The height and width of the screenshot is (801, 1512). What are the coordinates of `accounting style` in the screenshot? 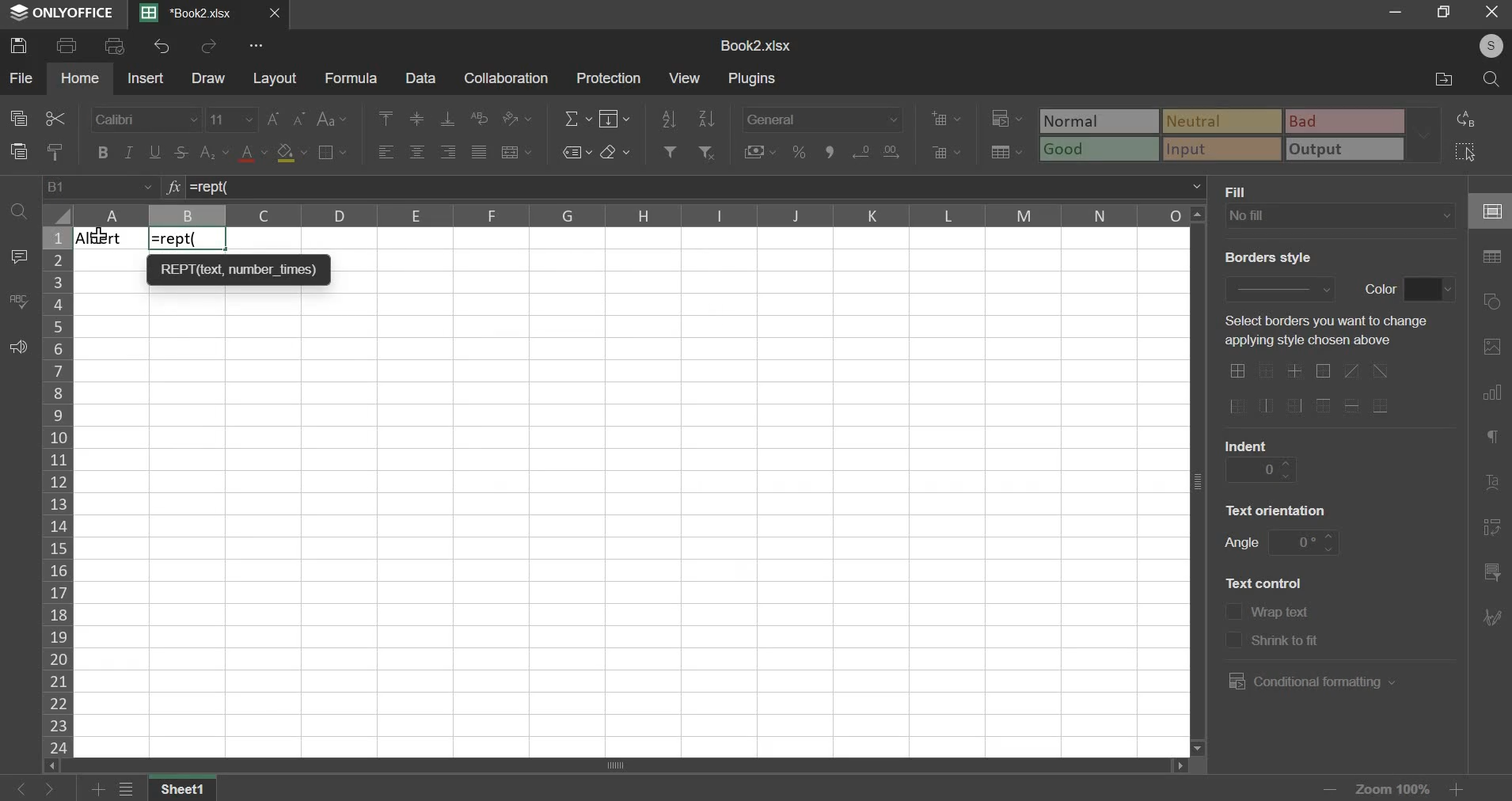 It's located at (759, 150).